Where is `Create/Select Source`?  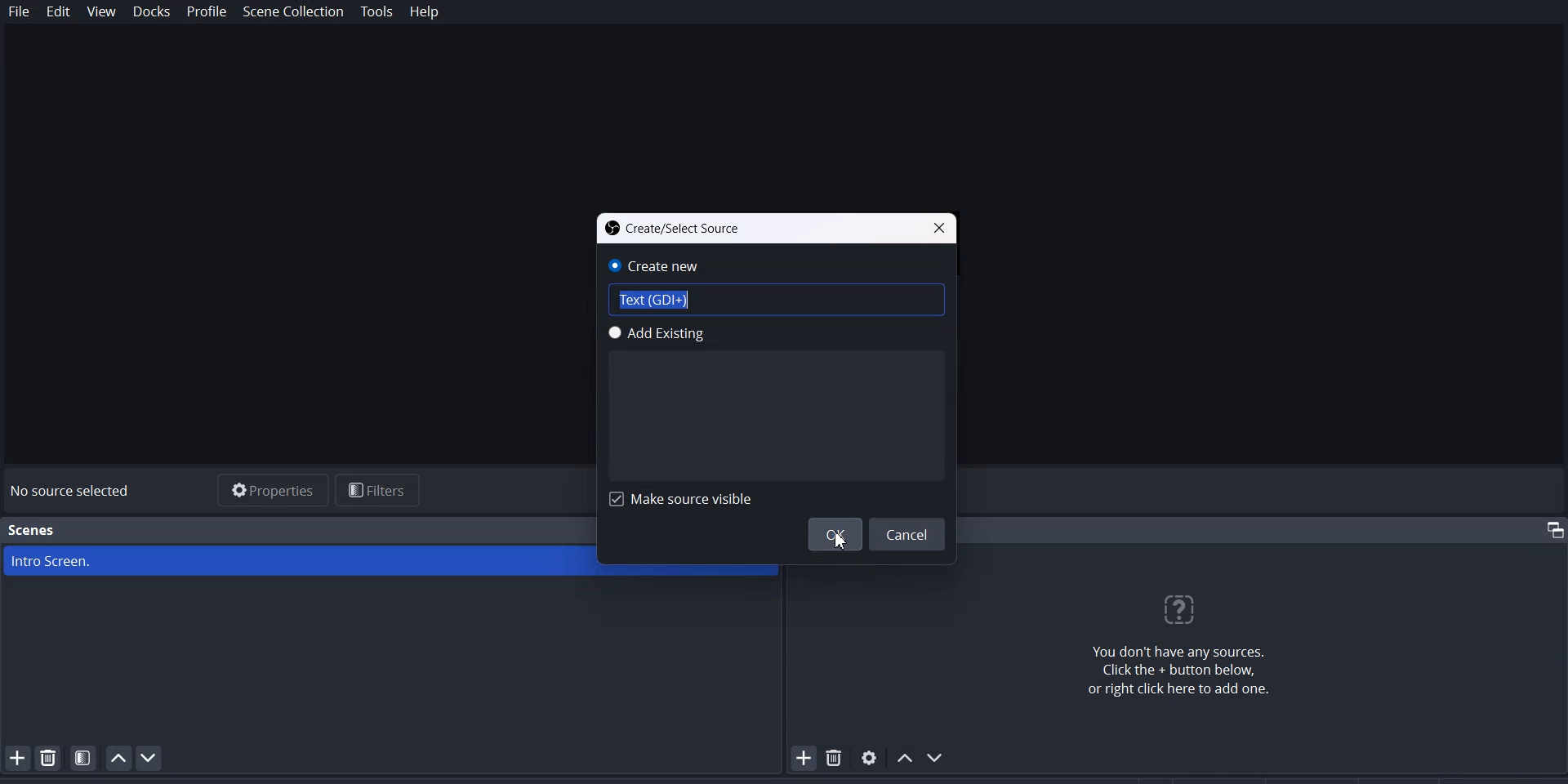
Create/Select Source is located at coordinates (675, 228).